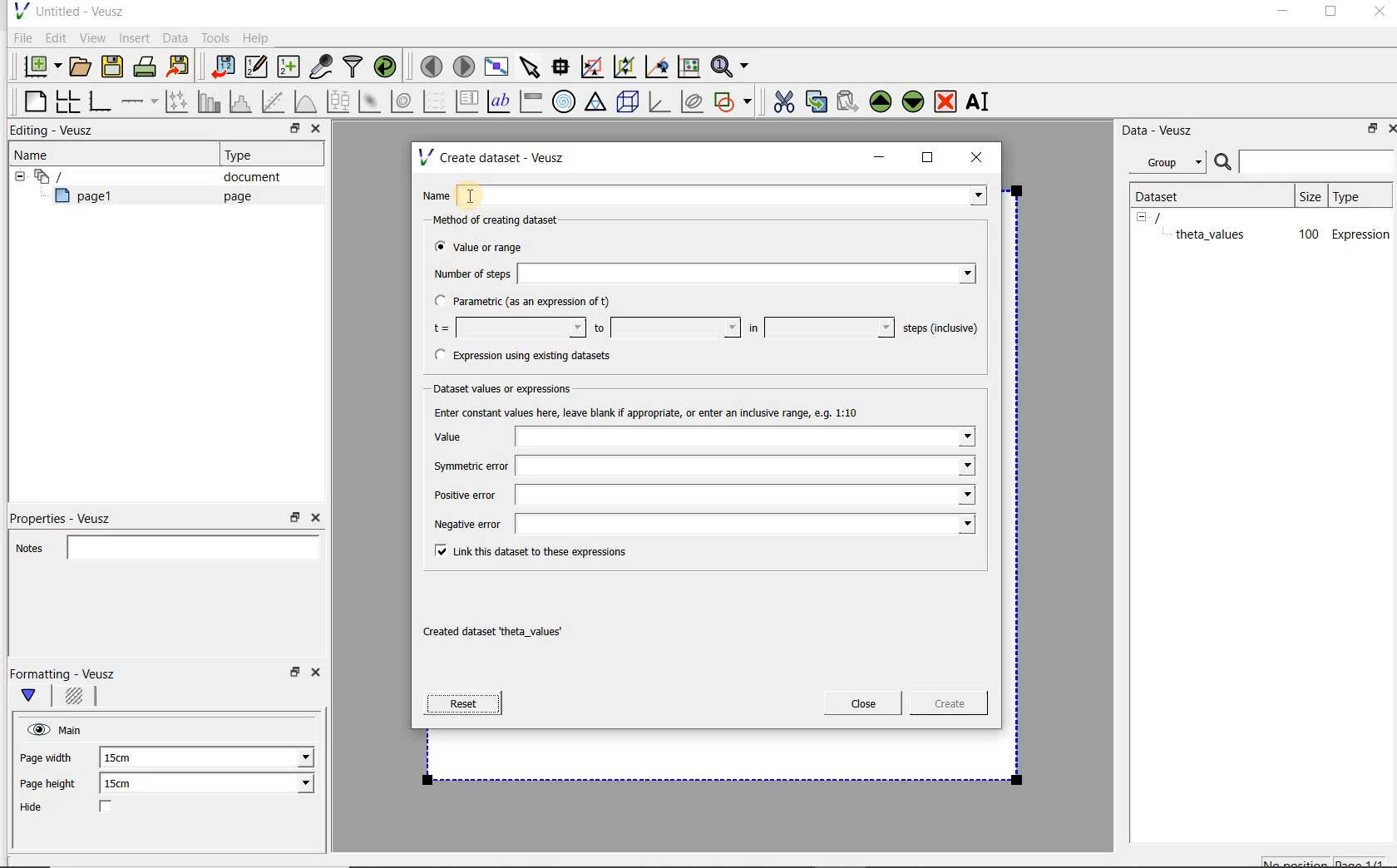  Describe the element at coordinates (78, 176) in the screenshot. I see `Document widget` at that location.